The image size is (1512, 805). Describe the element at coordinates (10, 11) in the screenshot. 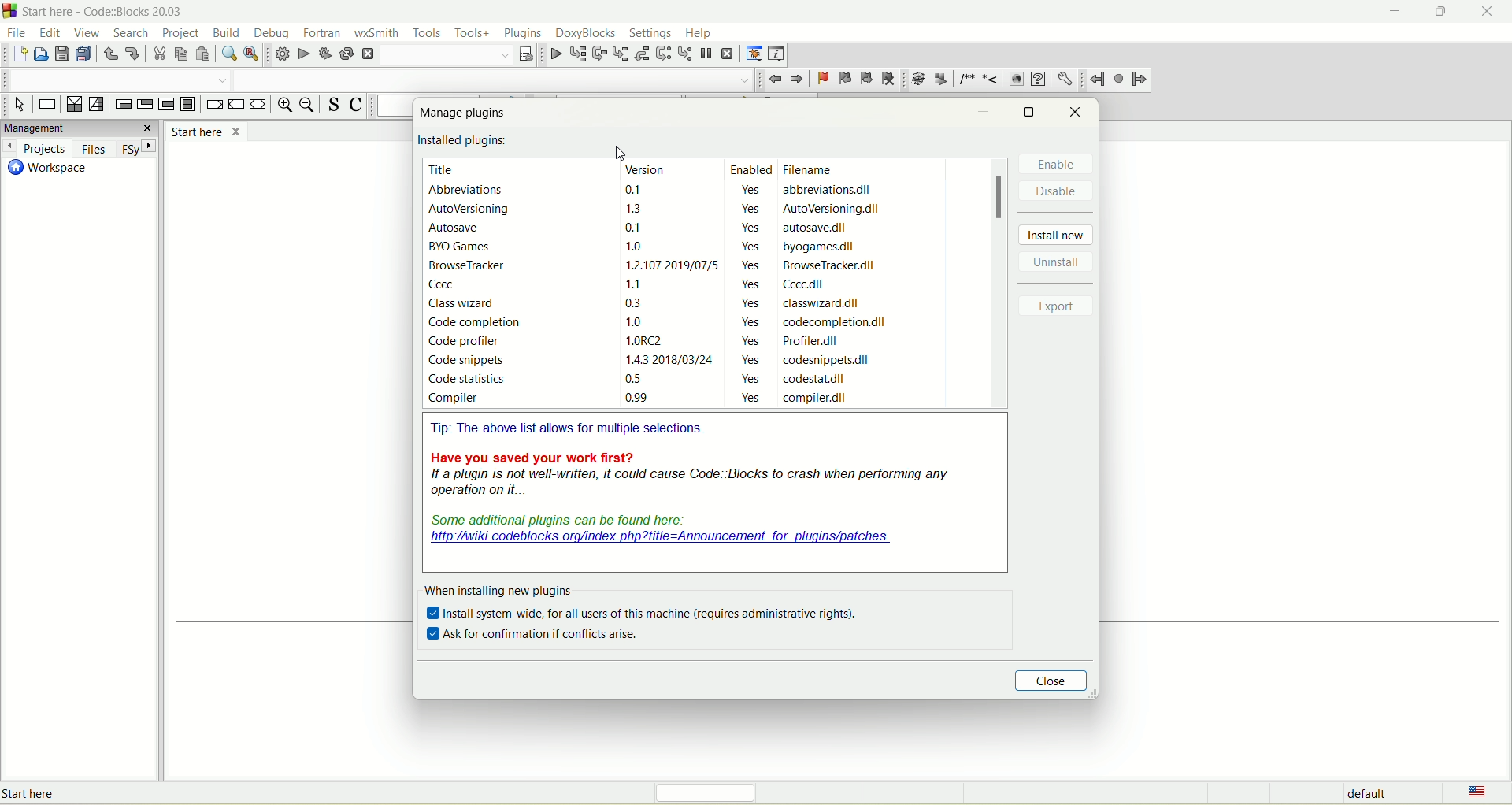

I see `logo` at that location.